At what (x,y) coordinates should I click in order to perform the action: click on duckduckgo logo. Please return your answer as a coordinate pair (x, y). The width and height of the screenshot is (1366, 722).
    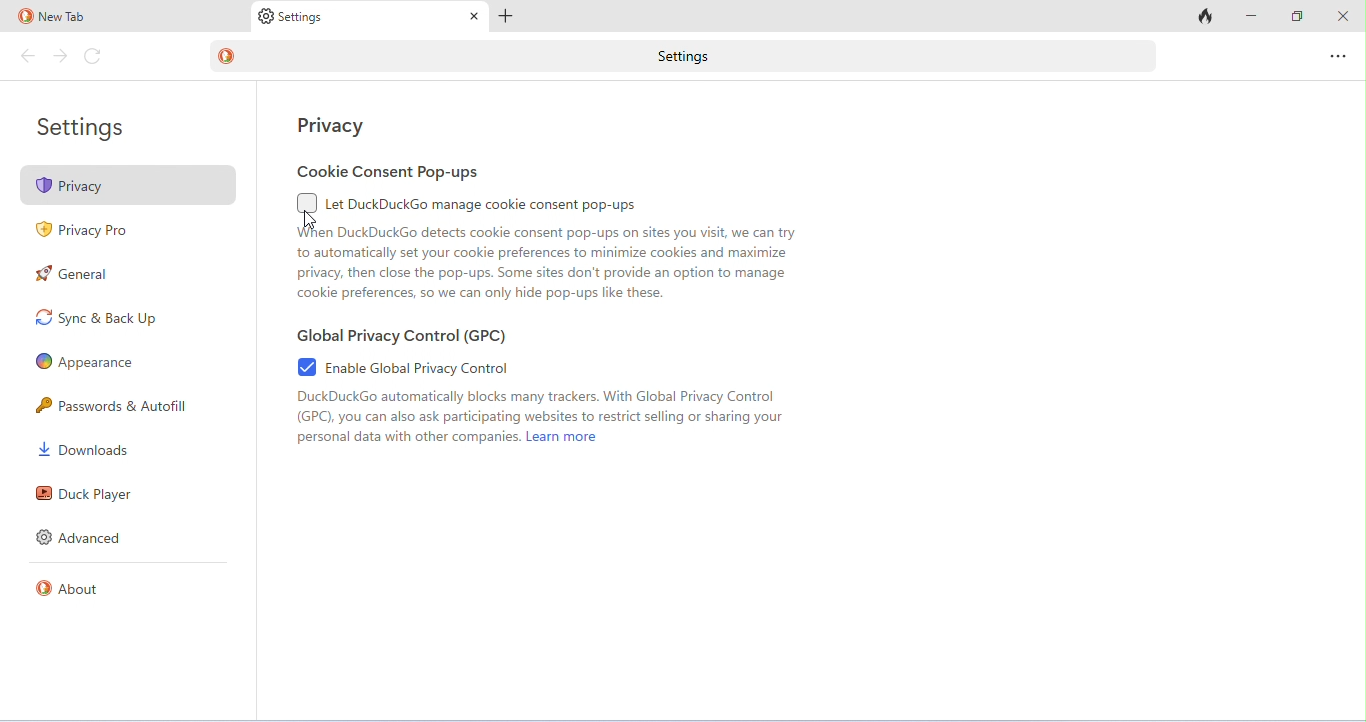
    Looking at the image, I should click on (225, 55).